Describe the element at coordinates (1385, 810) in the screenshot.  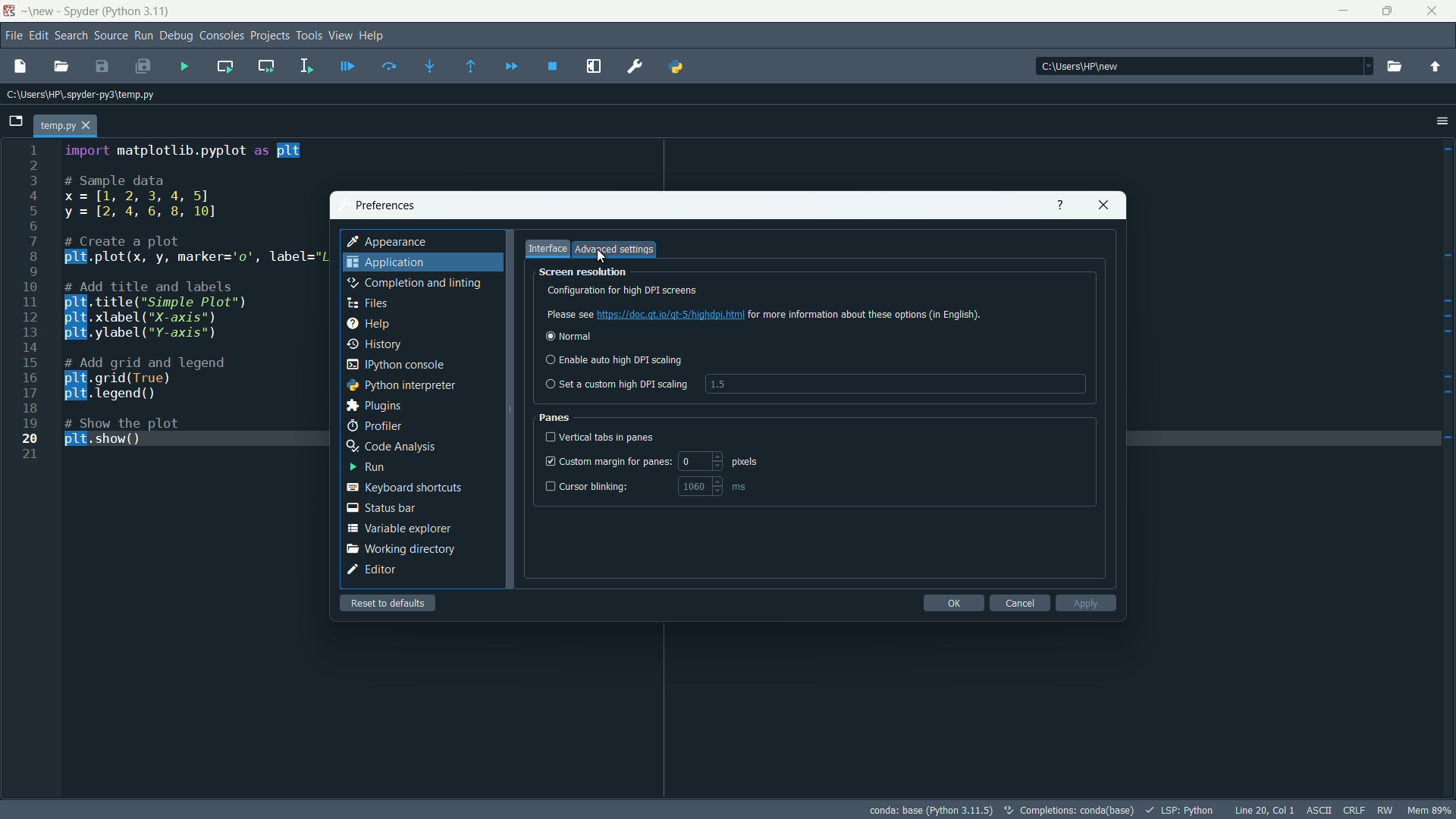
I see `rw` at that location.